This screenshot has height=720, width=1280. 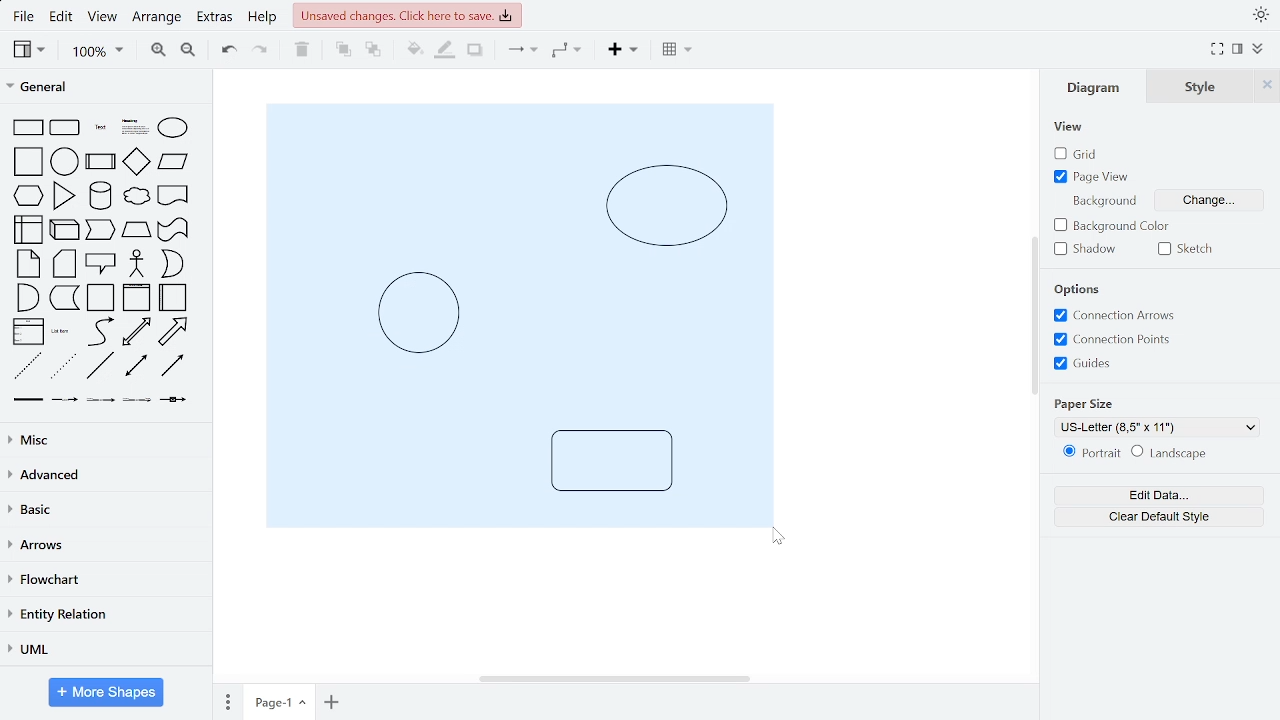 What do you see at coordinates (1095, 177) in the screenshot?
I see `page view` at bounding box center [1095, 177].